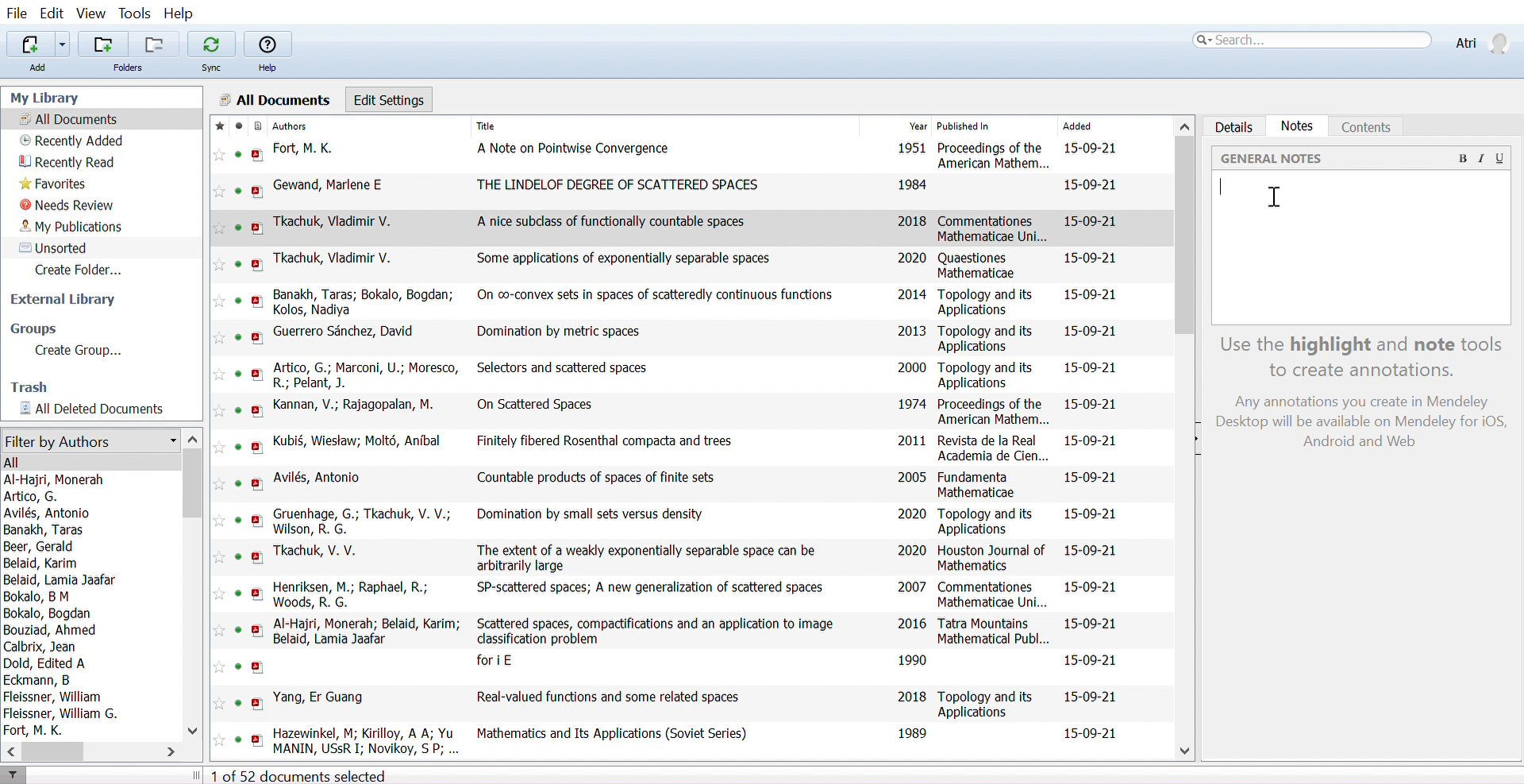  I want to click on open PDF, so click(258, 410).